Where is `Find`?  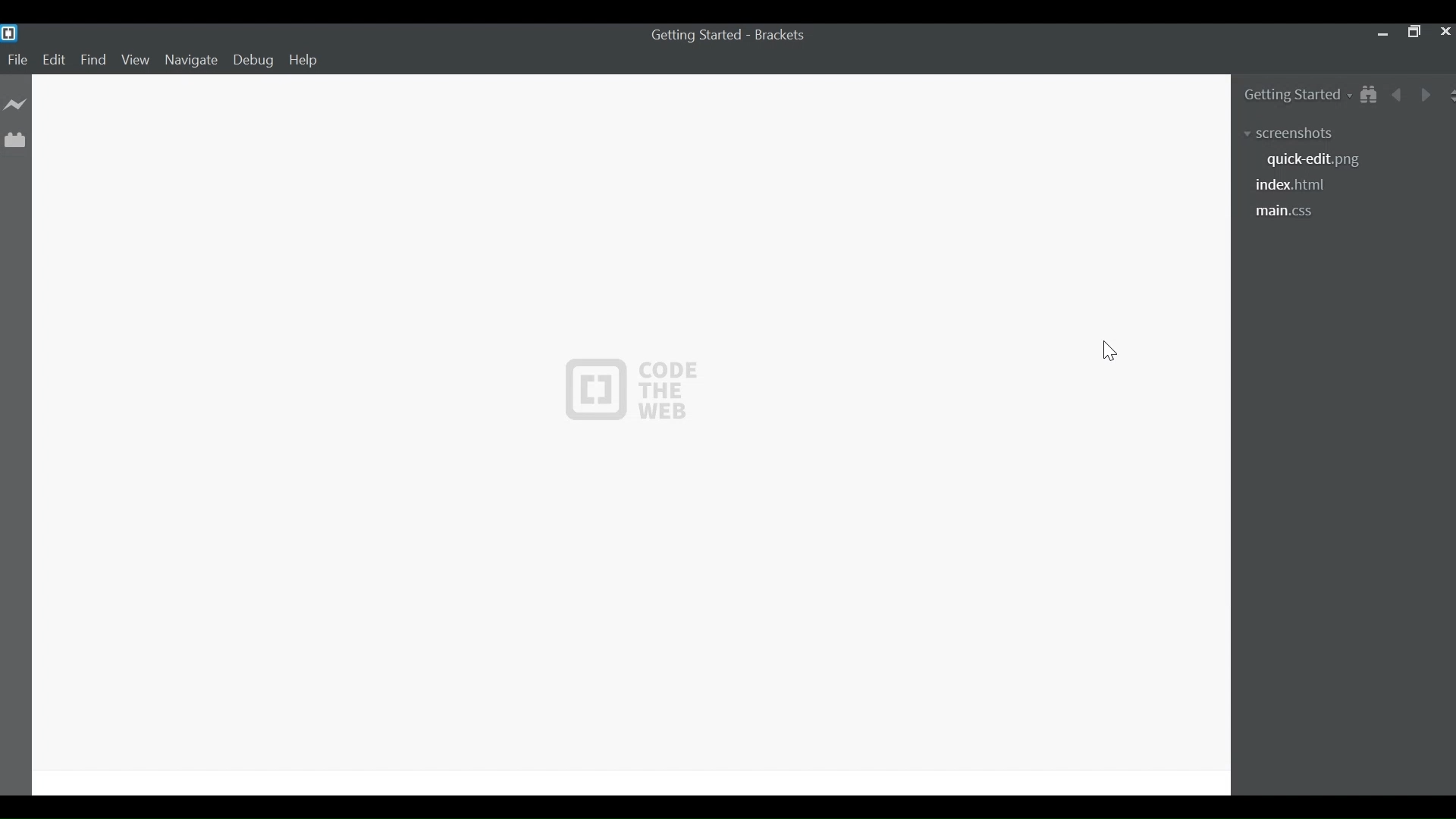
Find is located at coordinates (93, 61).